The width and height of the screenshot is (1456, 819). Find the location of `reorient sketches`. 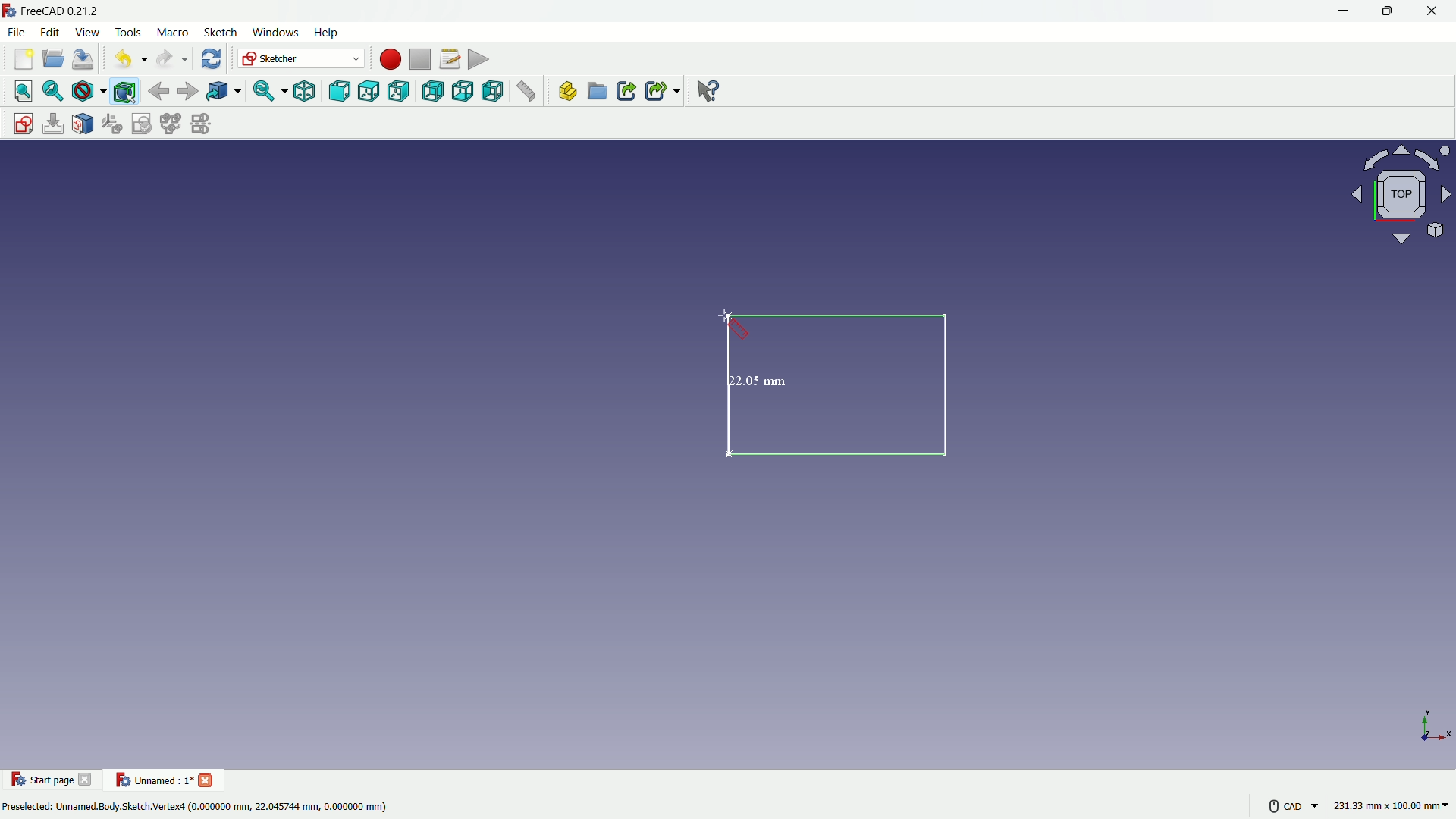

reorient sketches is located at coordinates (115, 124).